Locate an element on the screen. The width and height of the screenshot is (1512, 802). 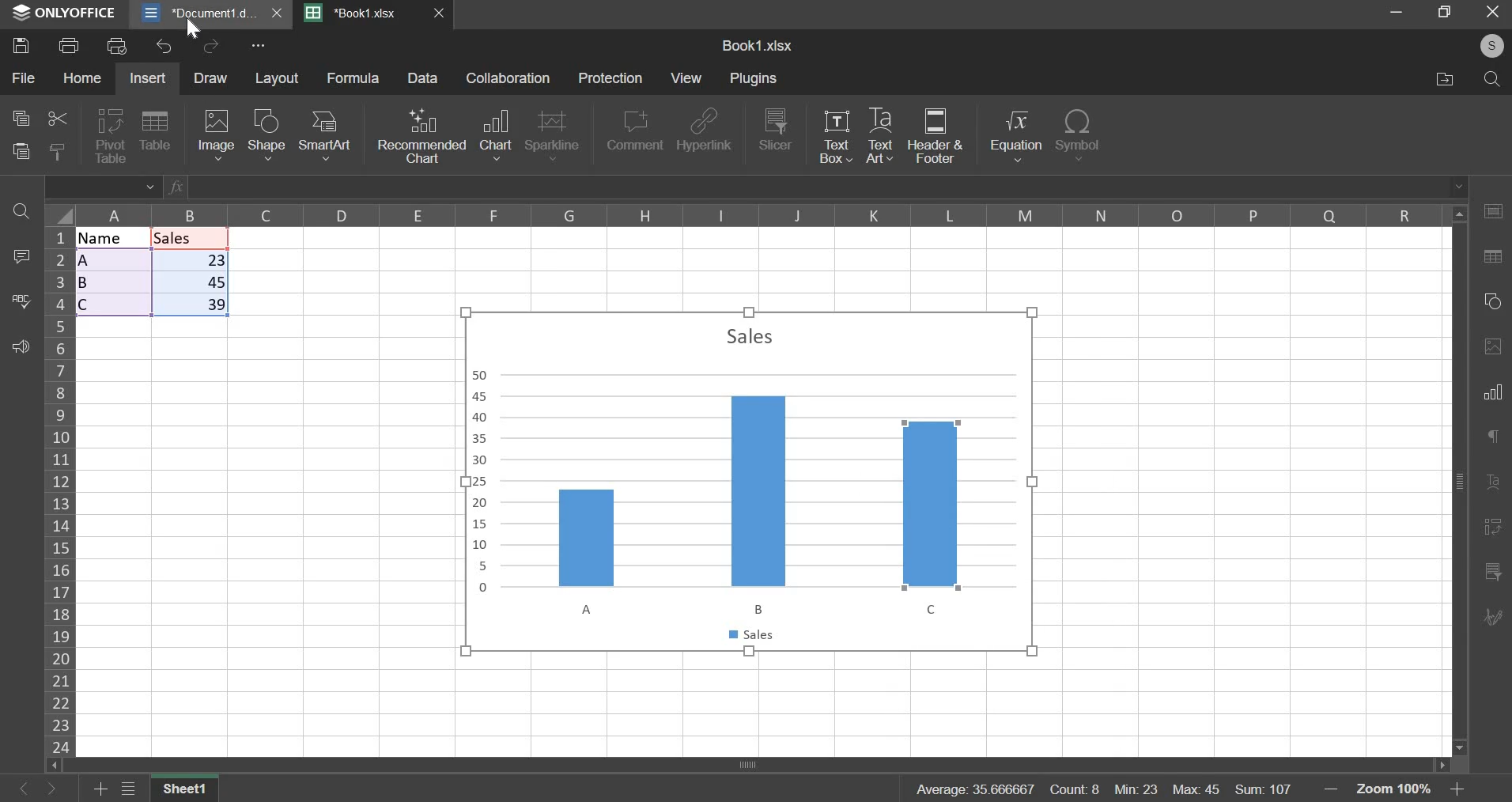
rows is located at coordinates (61, 490).